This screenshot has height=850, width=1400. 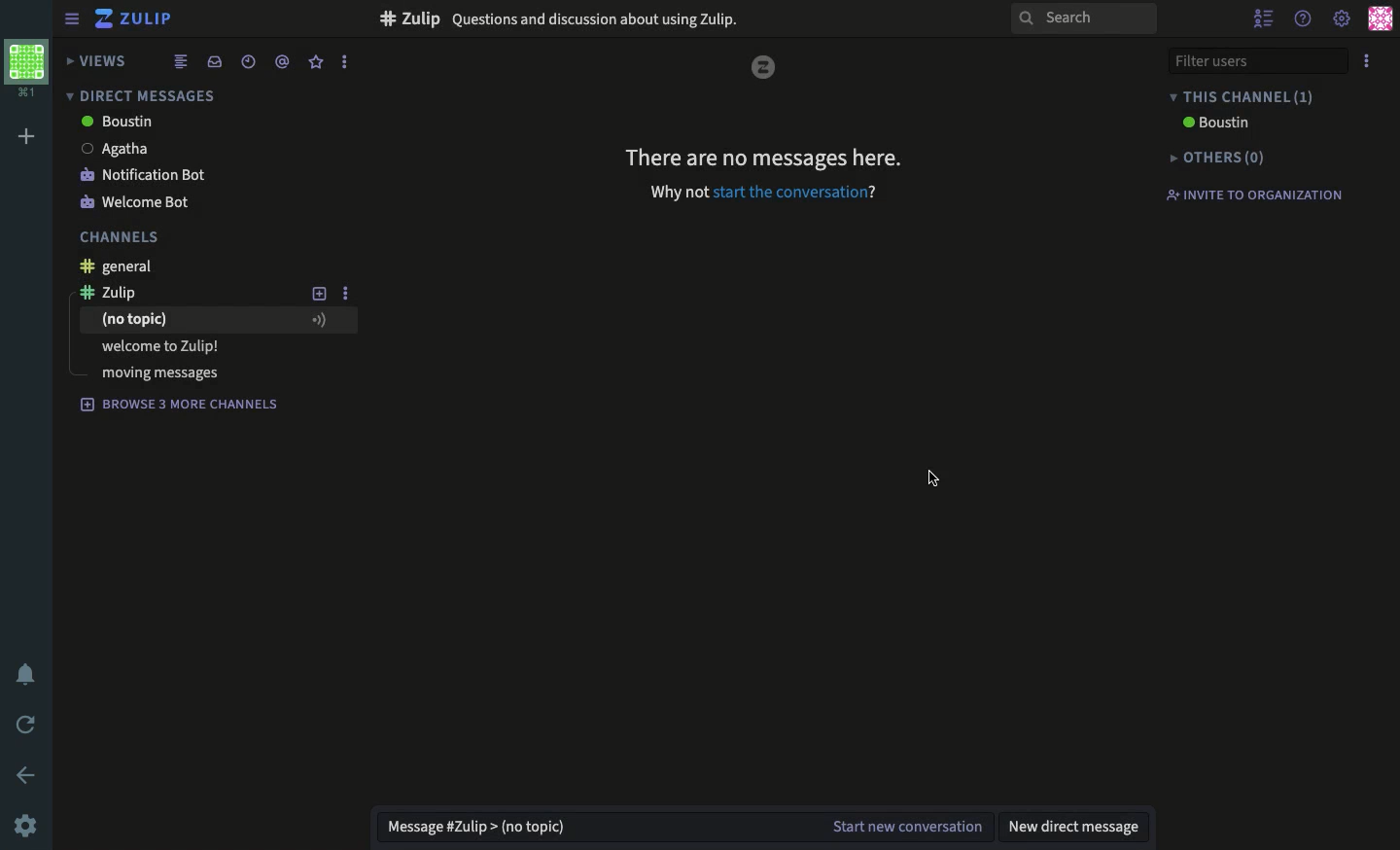 I want to click on user profile, so click(x=1379, y=18).